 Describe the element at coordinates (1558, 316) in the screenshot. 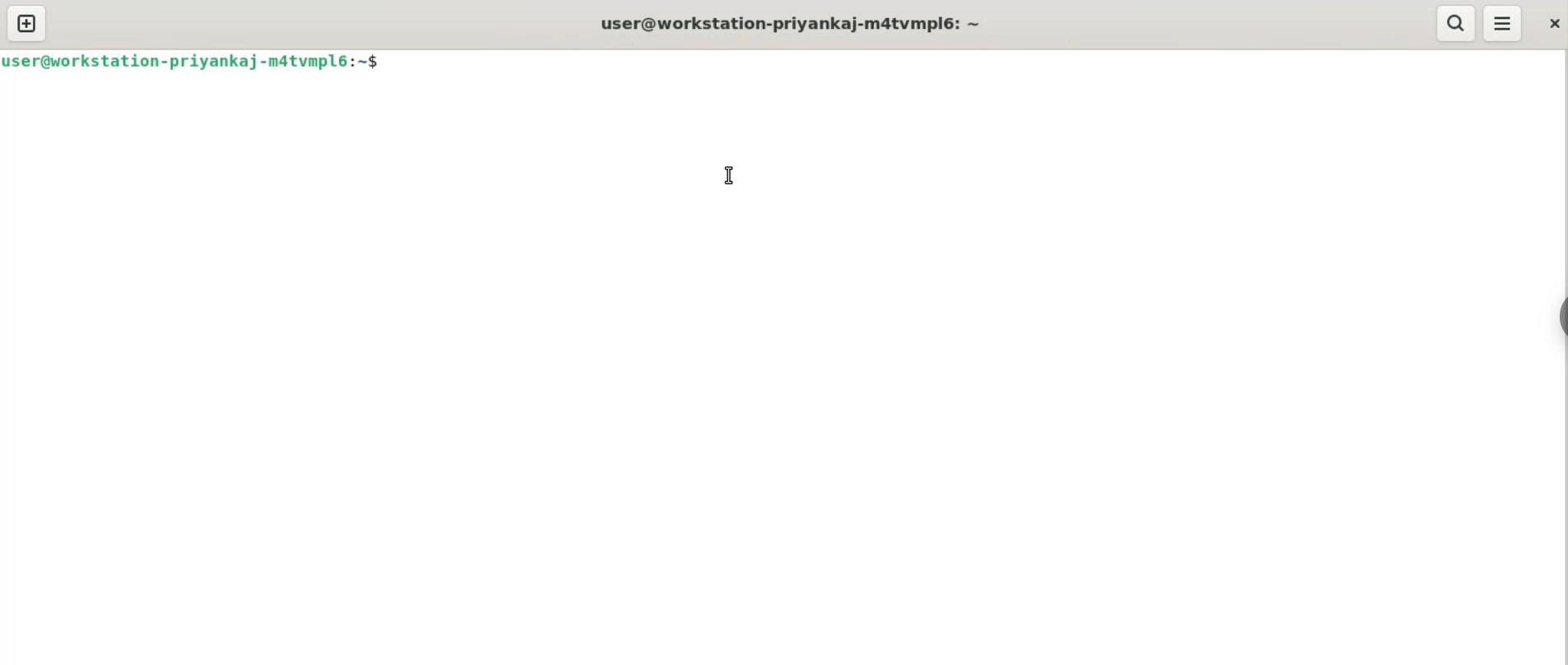

I see `sidebar` at that location.